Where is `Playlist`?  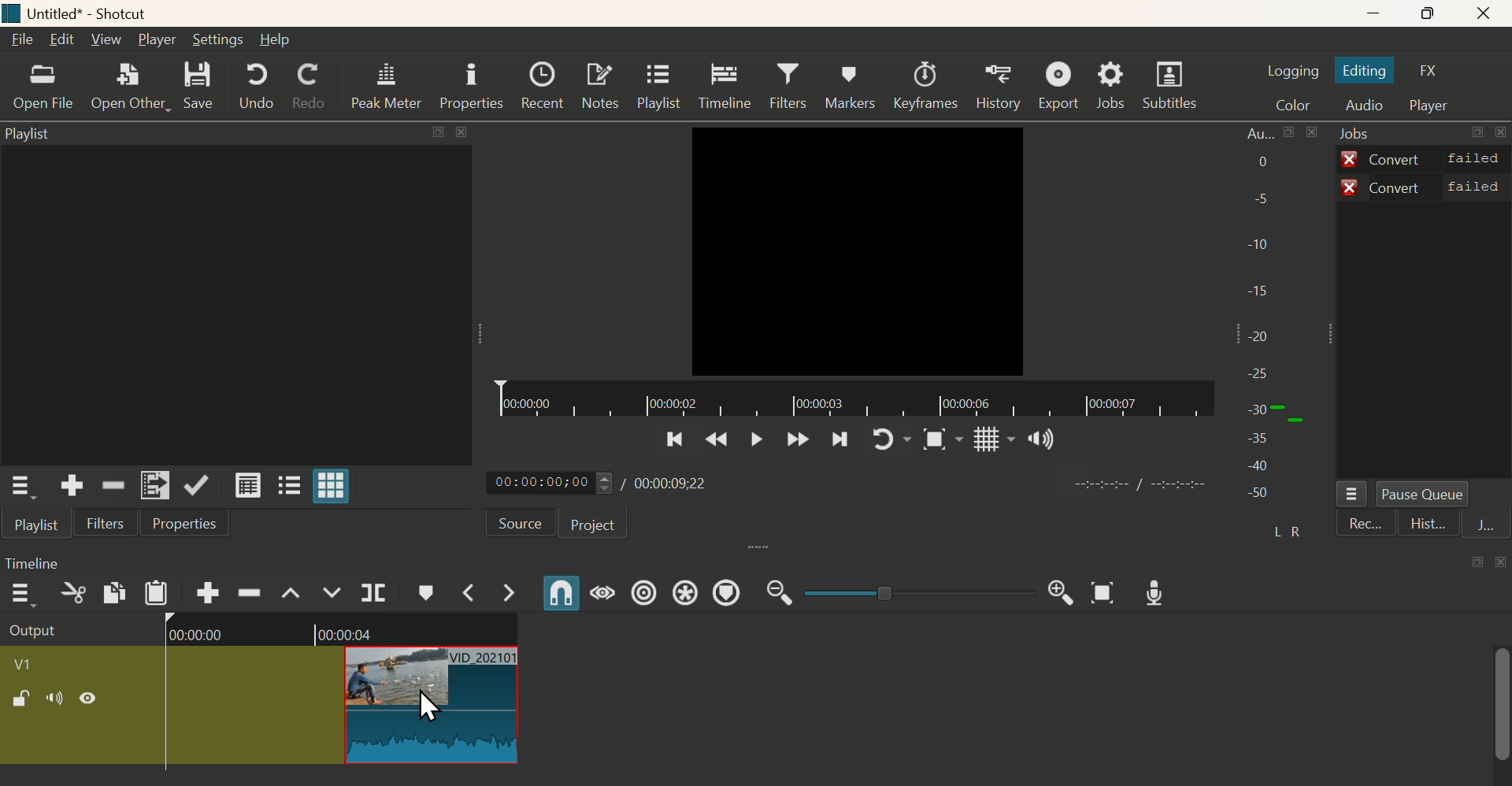 Playlist is located at coordinates (658, 87).